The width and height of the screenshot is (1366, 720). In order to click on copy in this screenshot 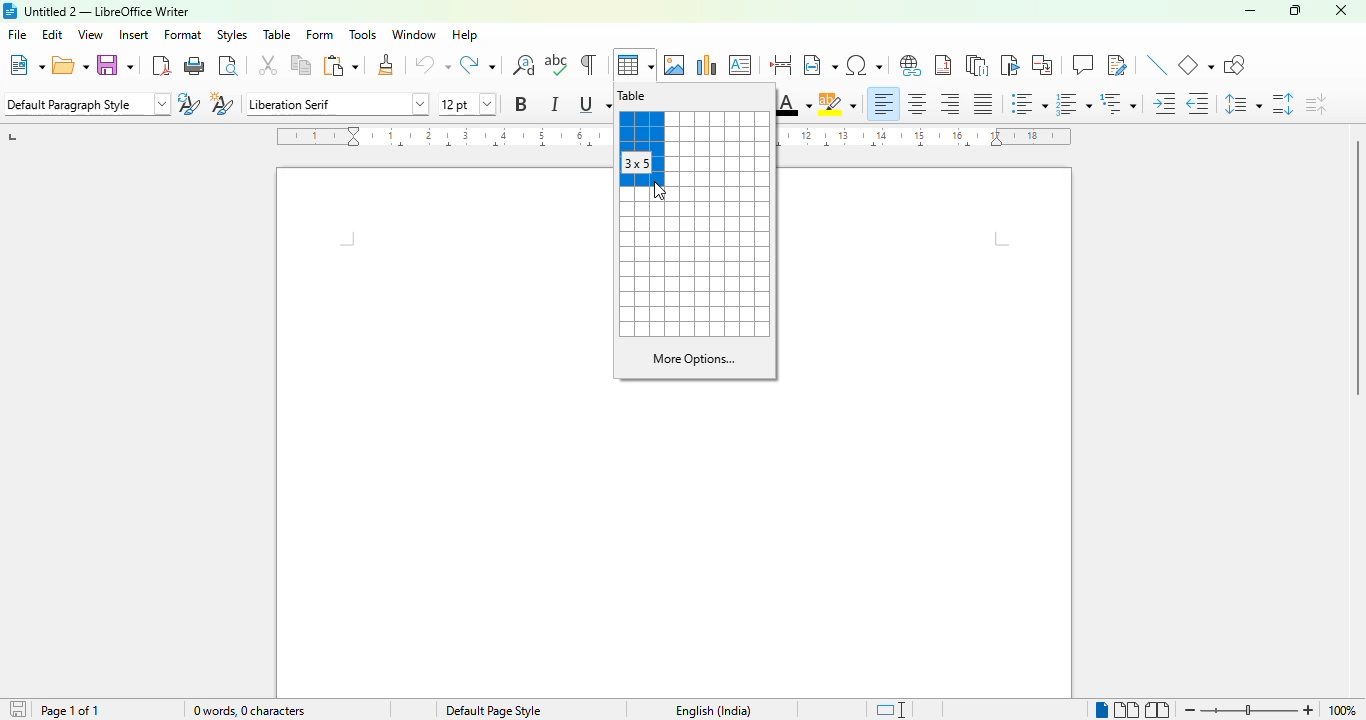, I will do `click(301, 65)`.